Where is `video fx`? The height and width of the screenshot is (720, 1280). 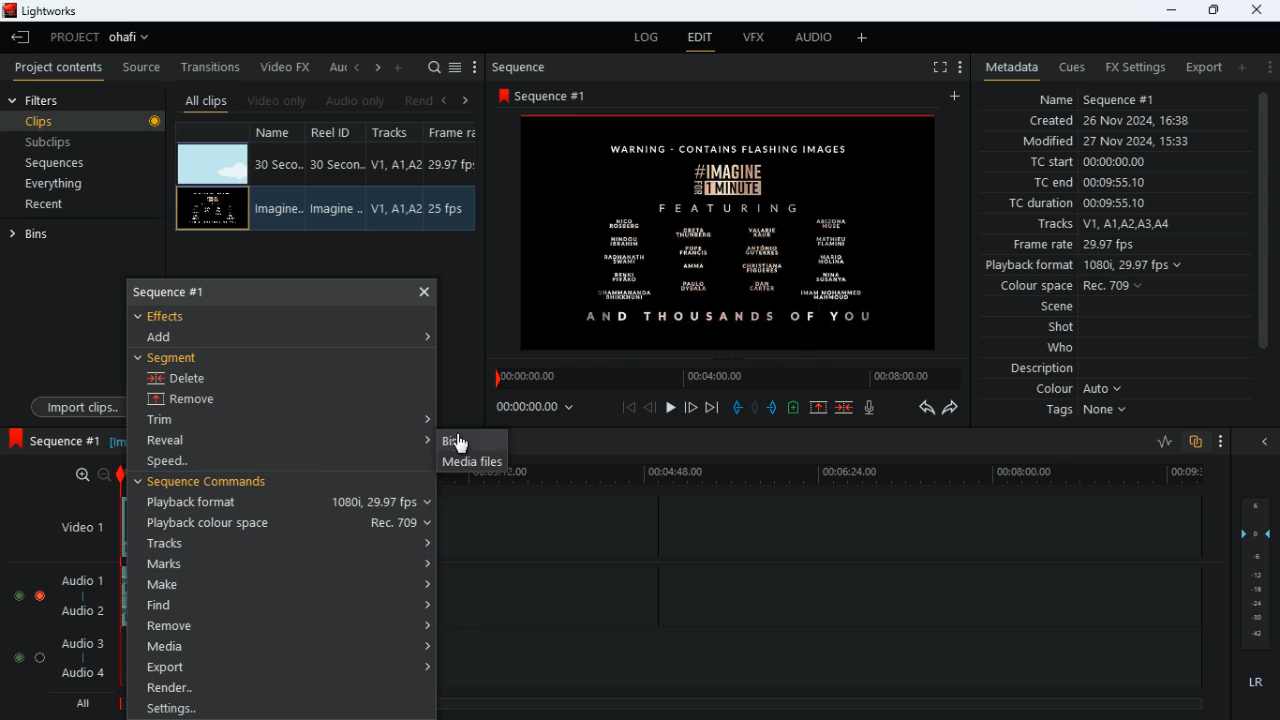
video fx is located at coordinates (288, 67).